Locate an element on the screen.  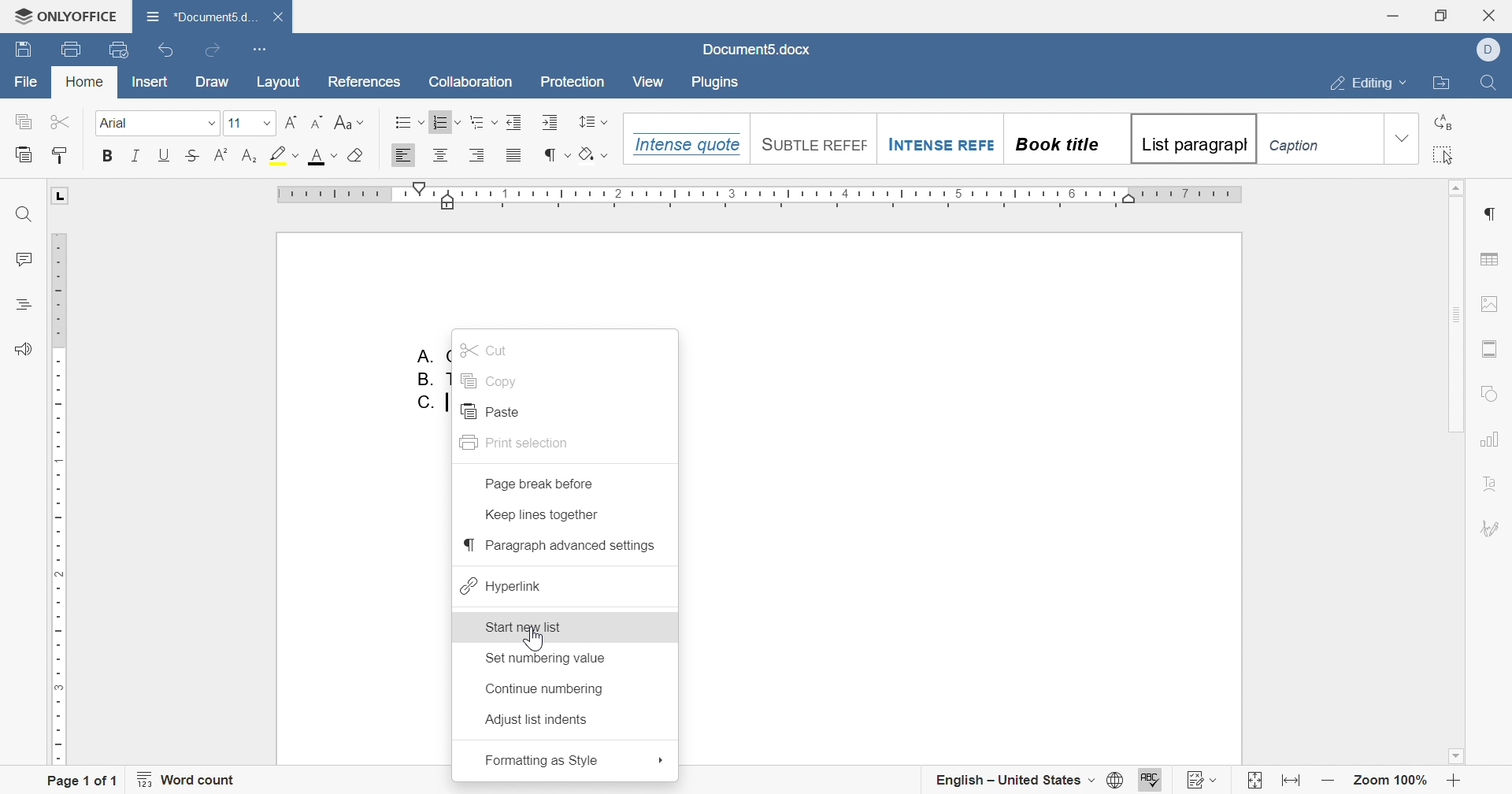
page 1 of 1 is located at coordinates (83, 779).